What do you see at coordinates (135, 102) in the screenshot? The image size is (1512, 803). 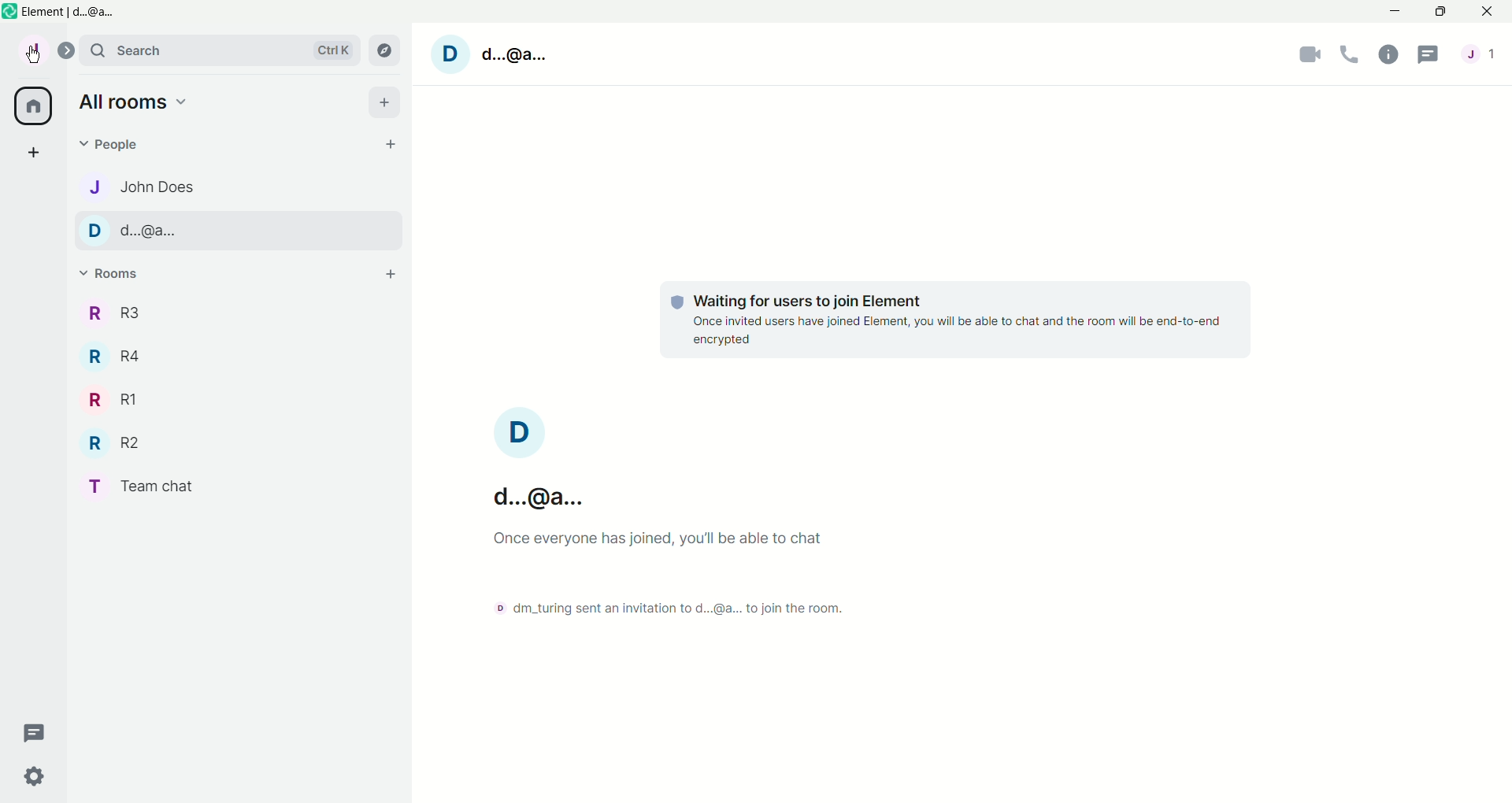 I see `All rooms` at bounding box center [135, 102].